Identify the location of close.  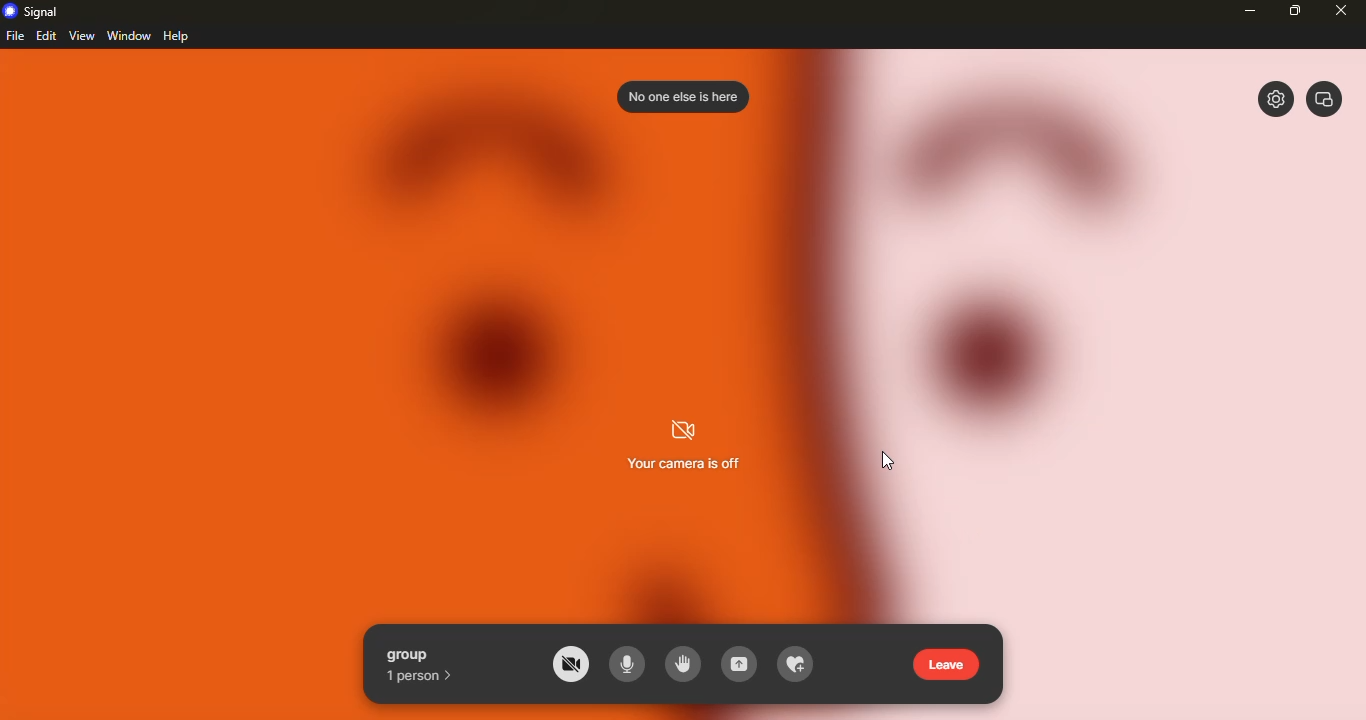
(1342, 11).